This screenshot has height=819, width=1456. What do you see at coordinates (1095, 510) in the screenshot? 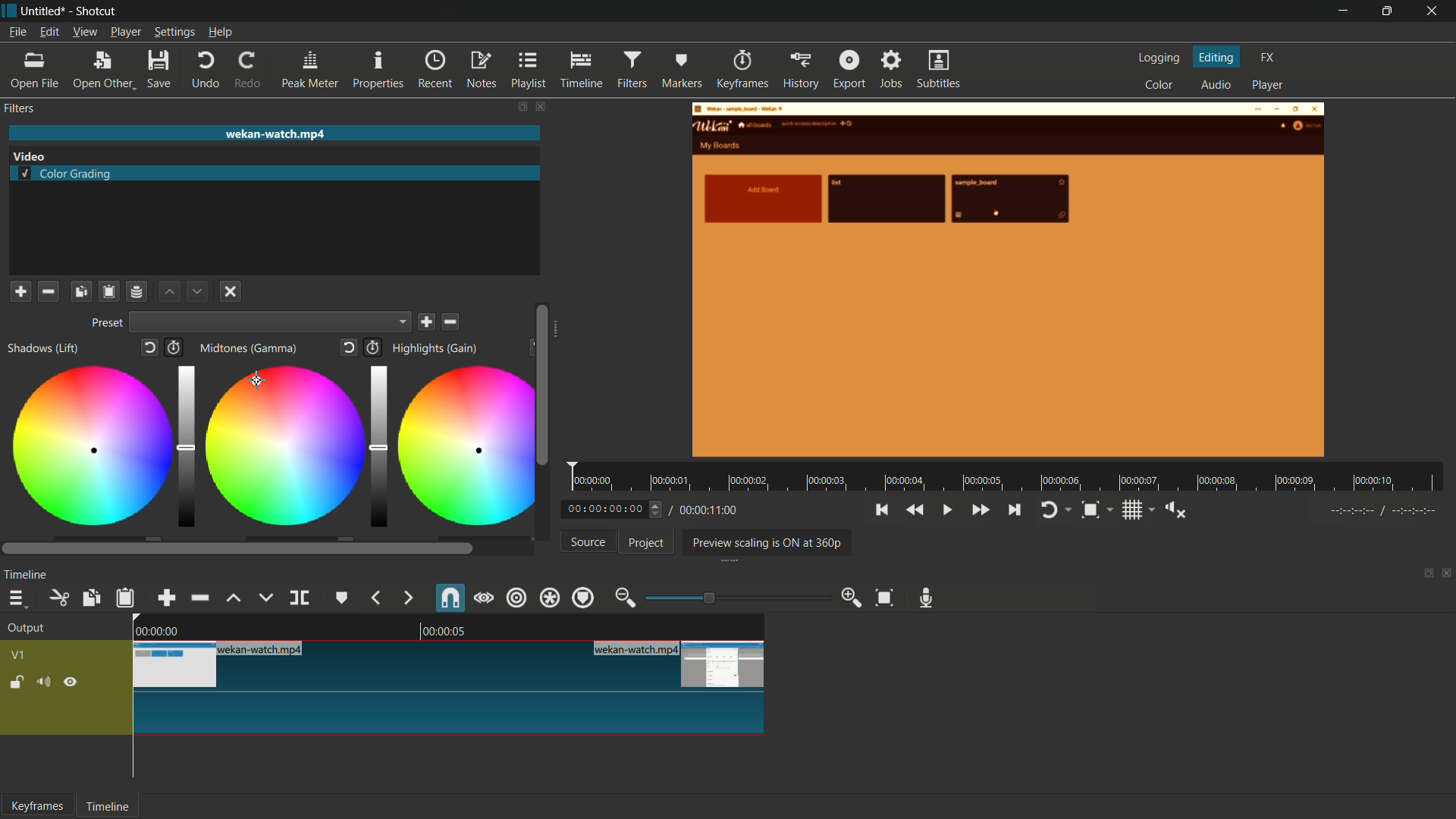
I see `toggle zoom` at bounding box center [1095, 510].